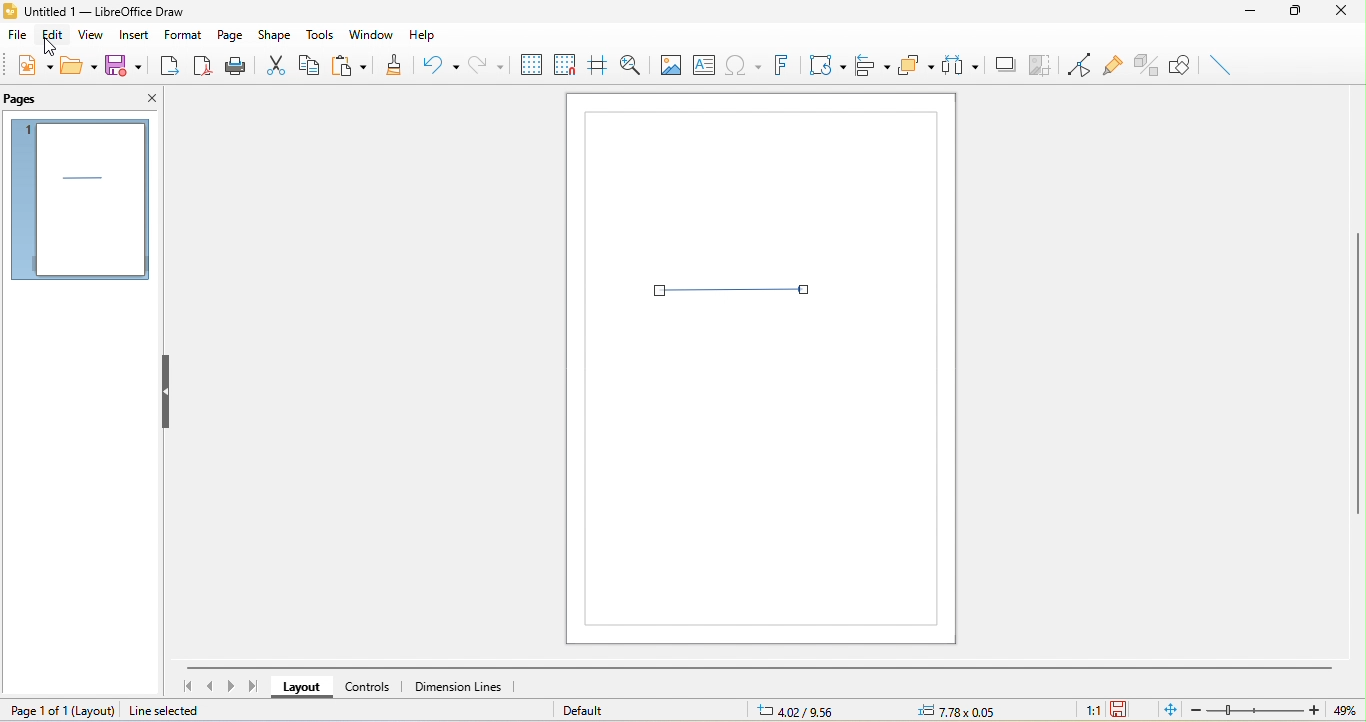 This screenshot has height=722, width=1366. What do you see at coordinates (669, 63) in the screenshot?
I see `image` at bounding box center [669, 63].